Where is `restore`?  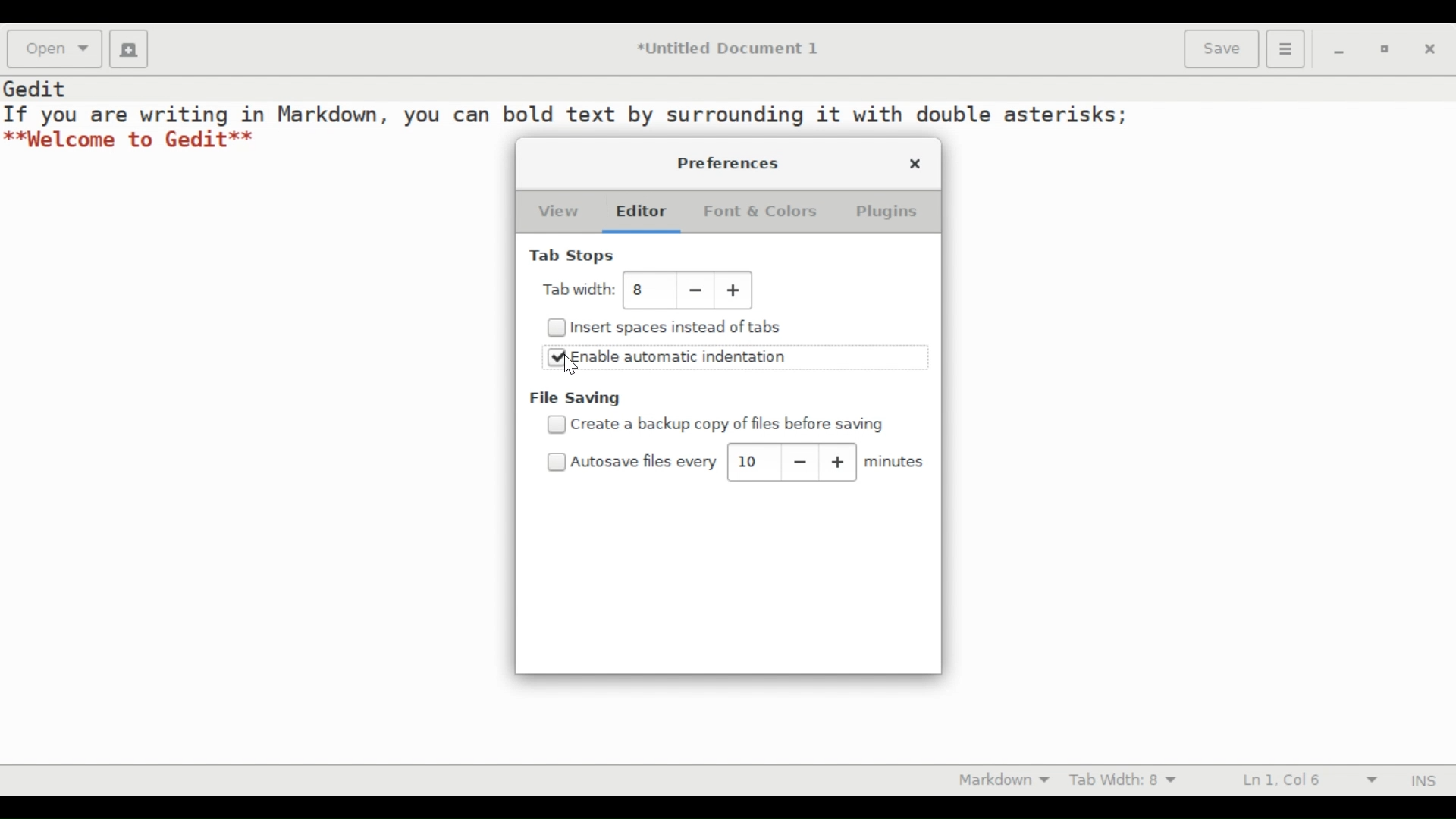 restore is located at coordinates (1385, 51).